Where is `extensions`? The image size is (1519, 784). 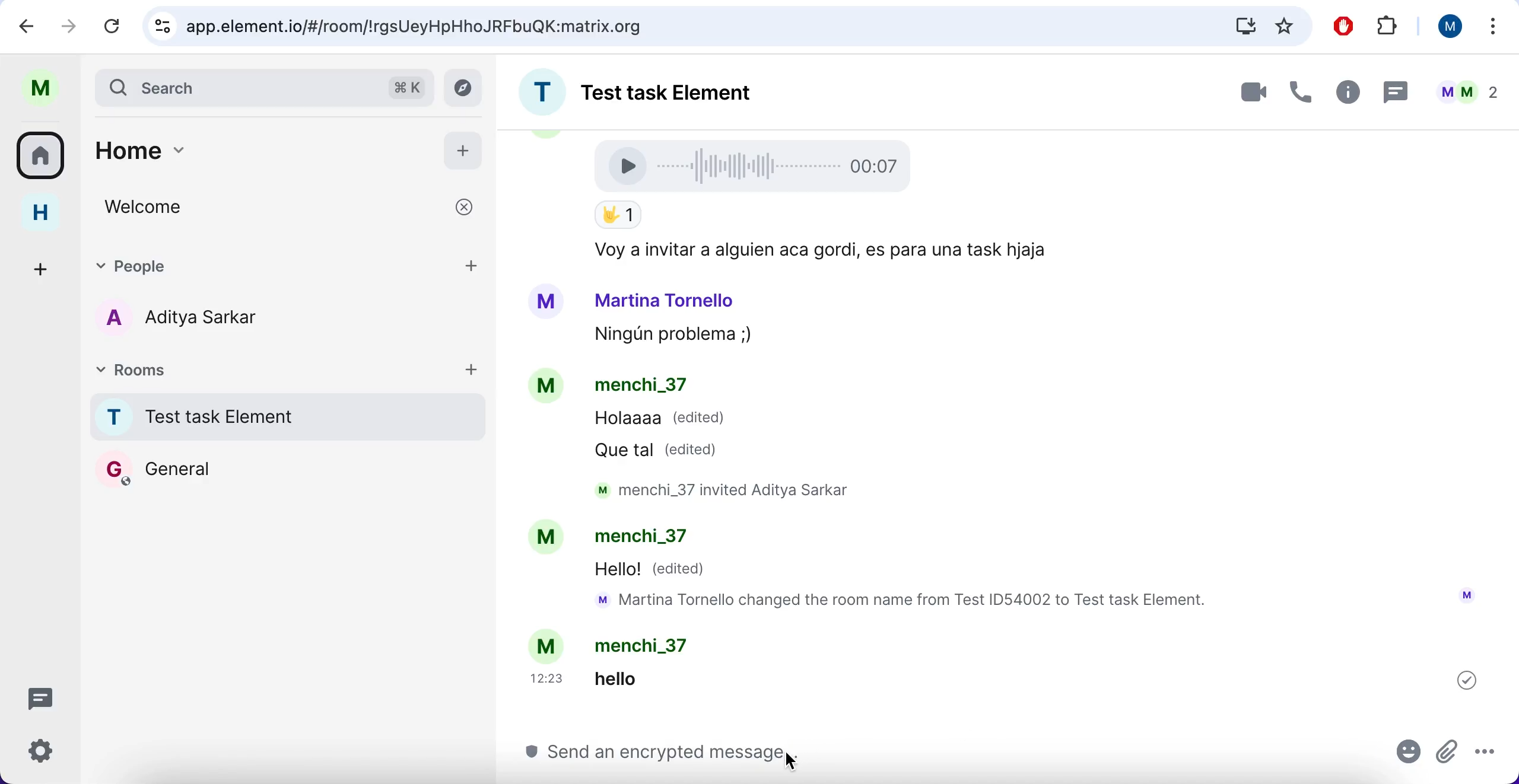 extensions is located at coordinates (1390, 27).